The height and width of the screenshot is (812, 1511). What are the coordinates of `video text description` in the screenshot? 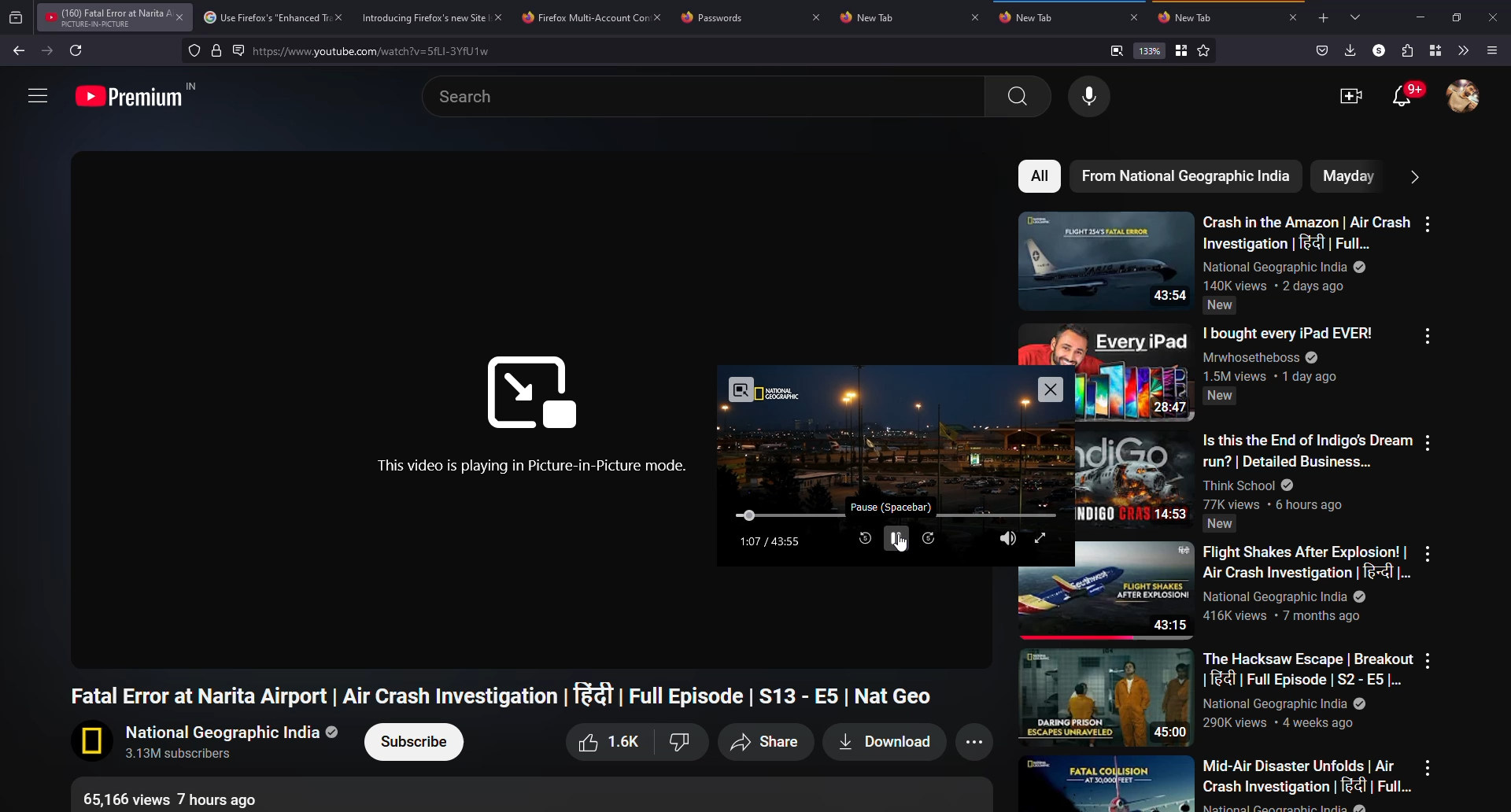 It's located at (1309, 784).